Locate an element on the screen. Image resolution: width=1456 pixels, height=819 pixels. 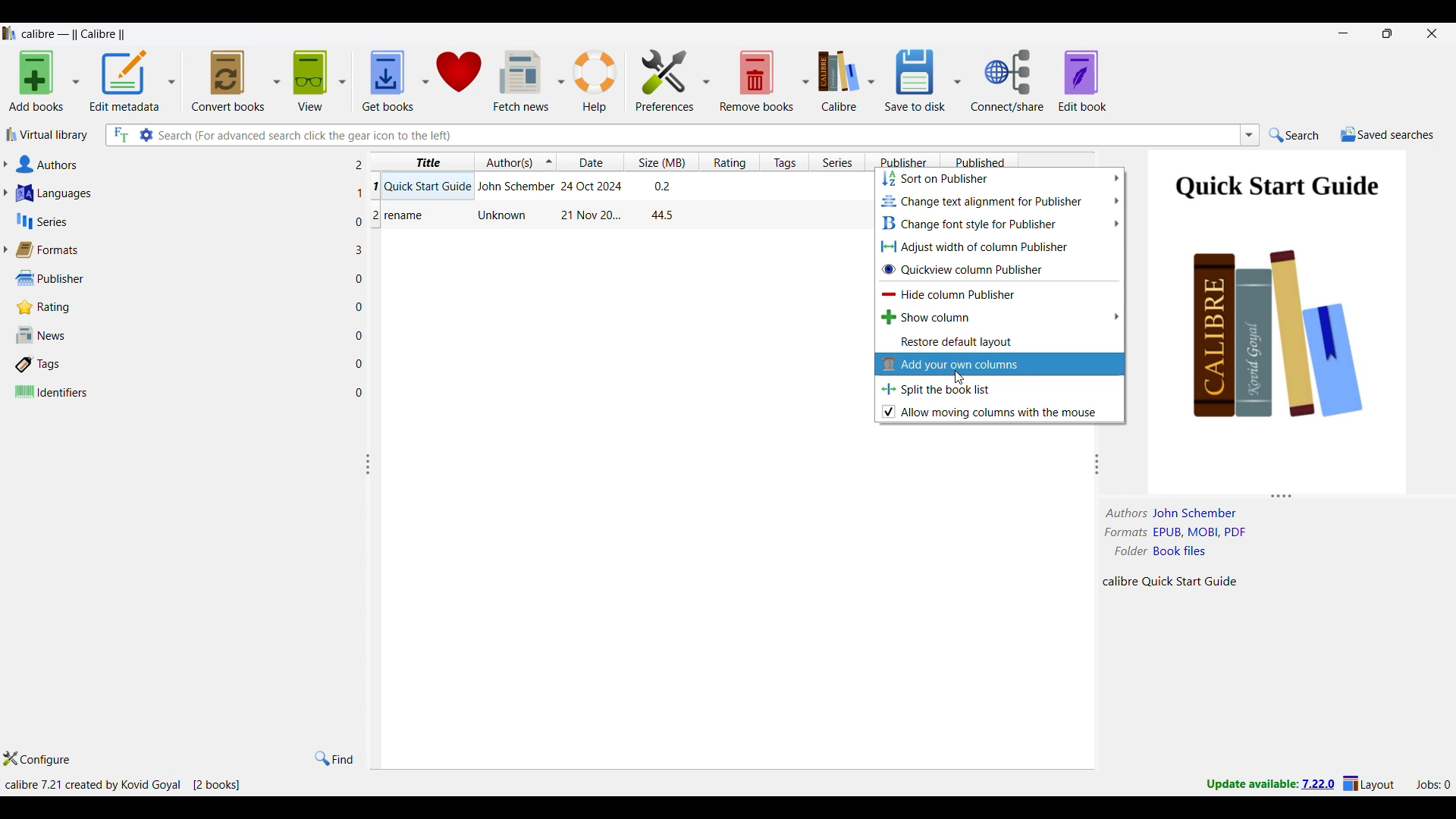
Help is located at coordinates (595, 81).